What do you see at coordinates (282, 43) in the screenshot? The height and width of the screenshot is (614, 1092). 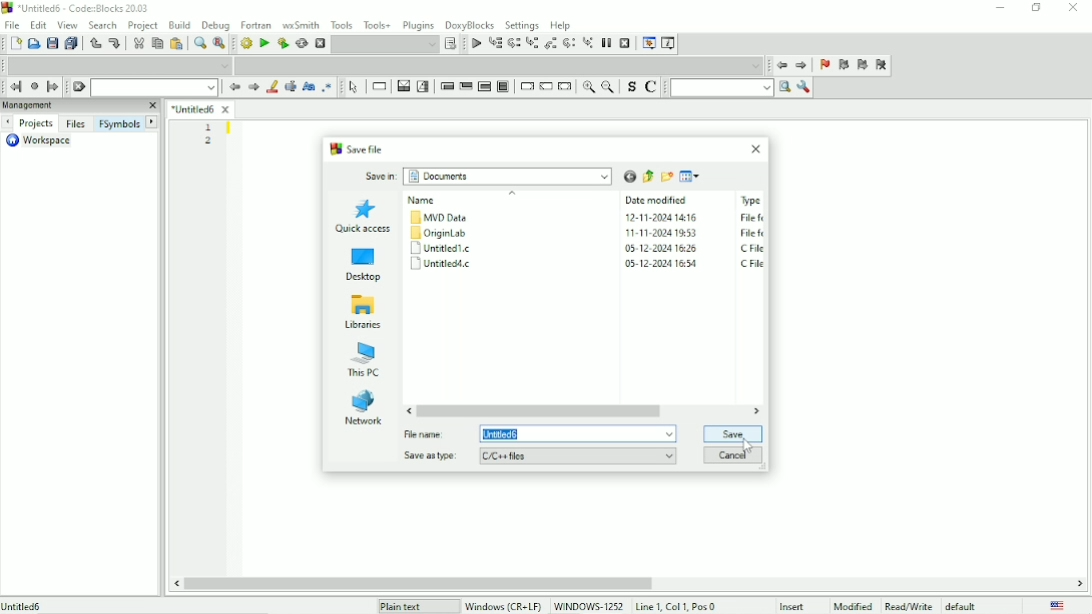 I see `Build and run` at bounding box center [282, 43].